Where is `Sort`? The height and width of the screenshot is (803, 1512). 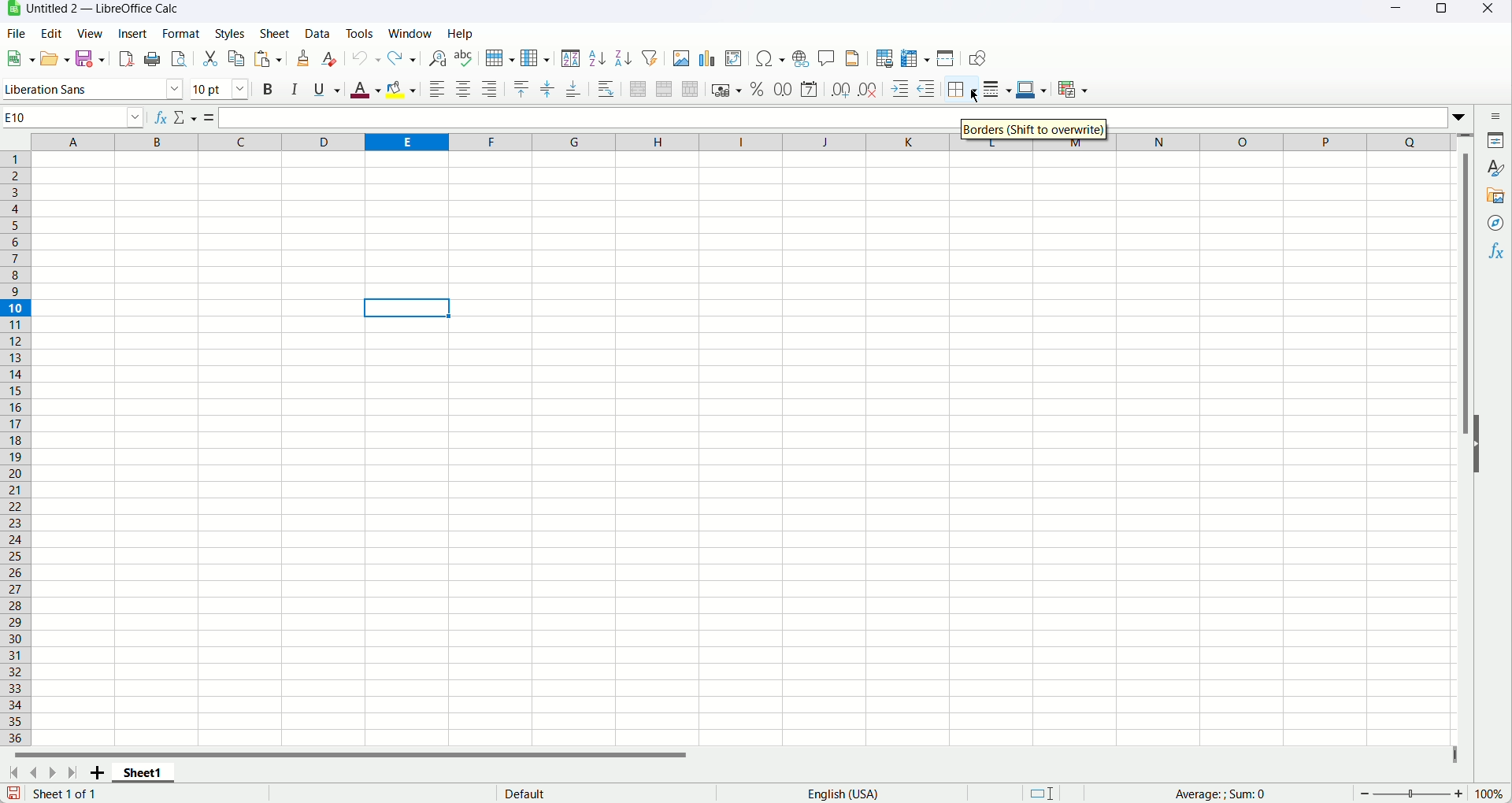 Sort is located at coordinates (571, 57).